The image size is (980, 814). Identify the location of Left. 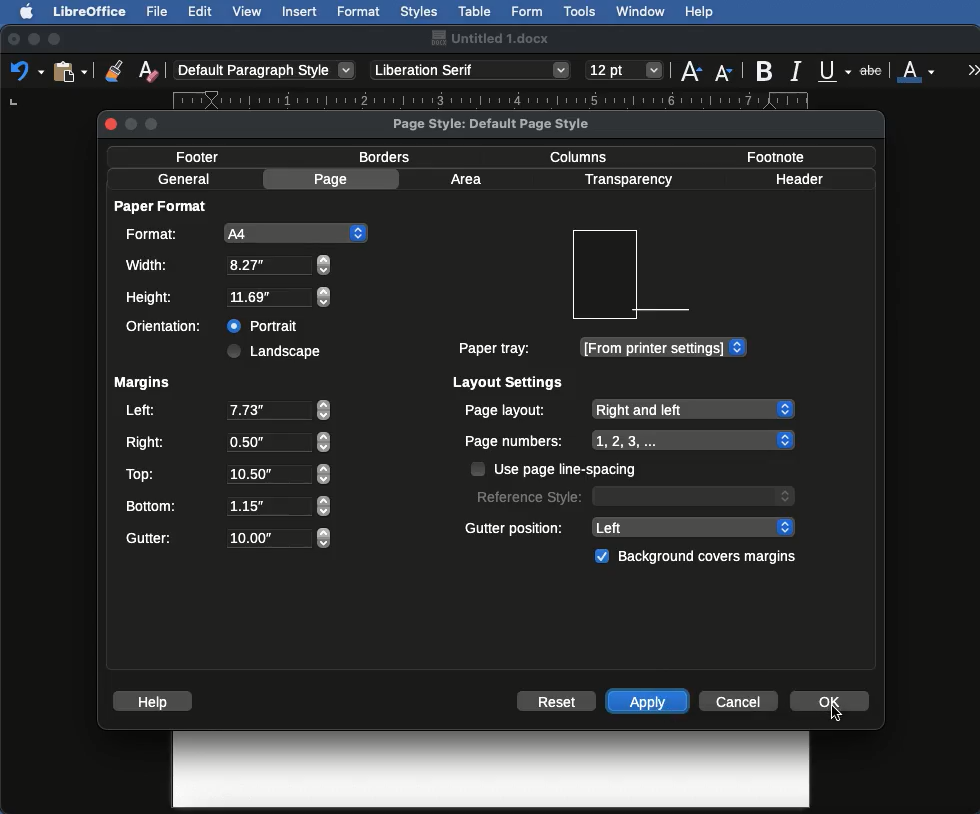
(226, 412).